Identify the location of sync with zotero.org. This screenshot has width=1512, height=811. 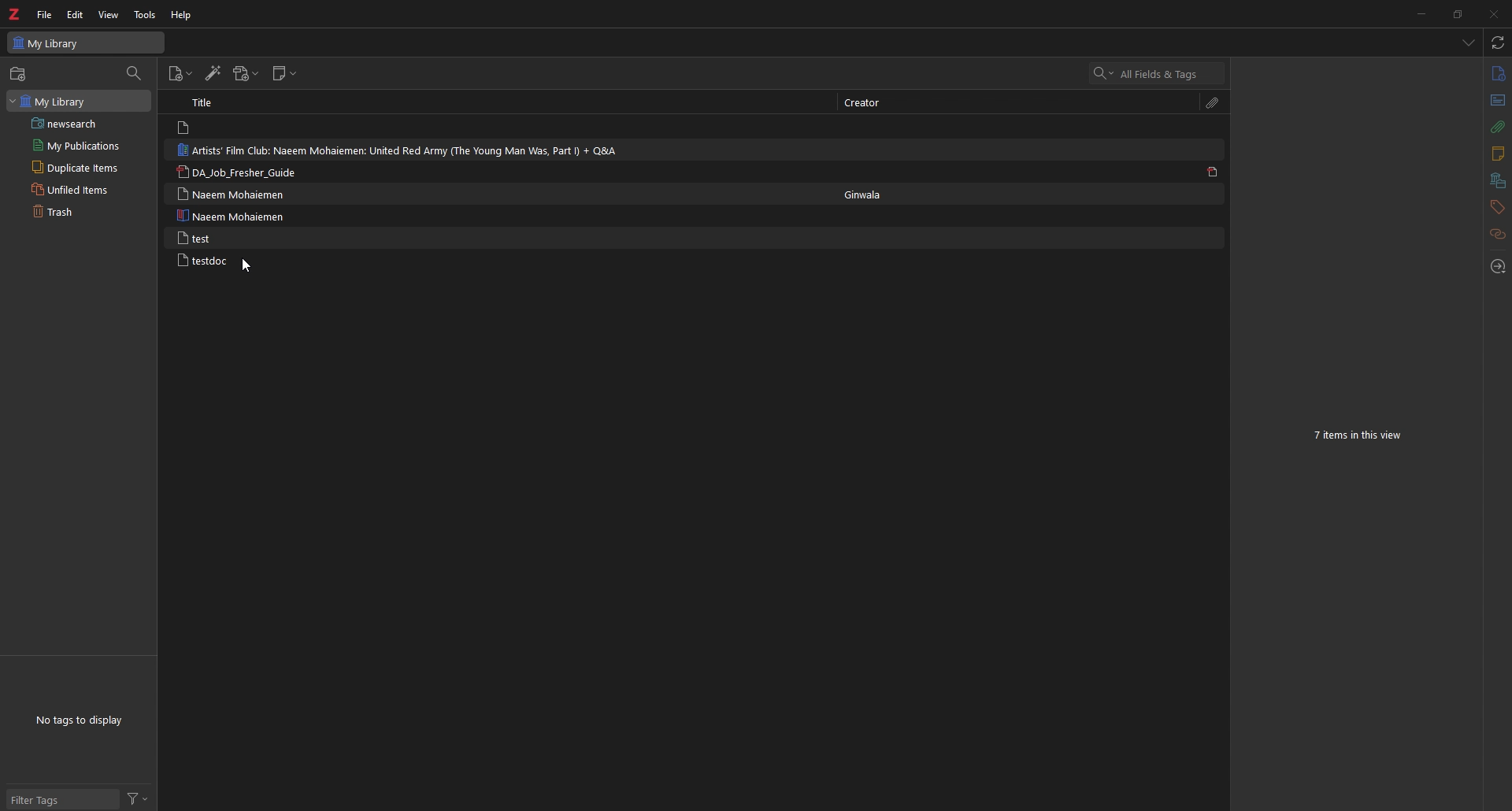
(1497, 43).